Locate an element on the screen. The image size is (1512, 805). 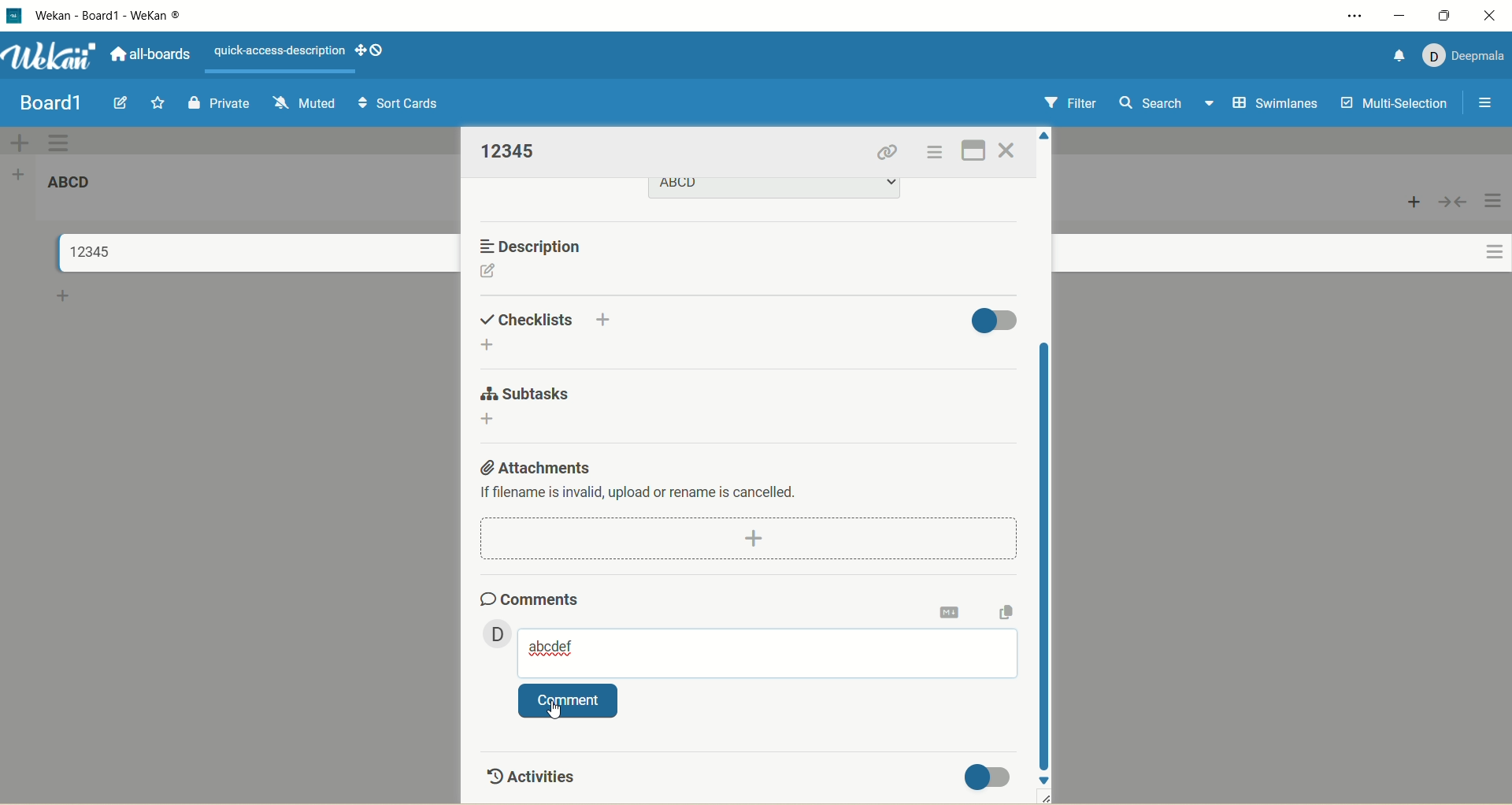
minimize is located at coordinates (1398, 16).